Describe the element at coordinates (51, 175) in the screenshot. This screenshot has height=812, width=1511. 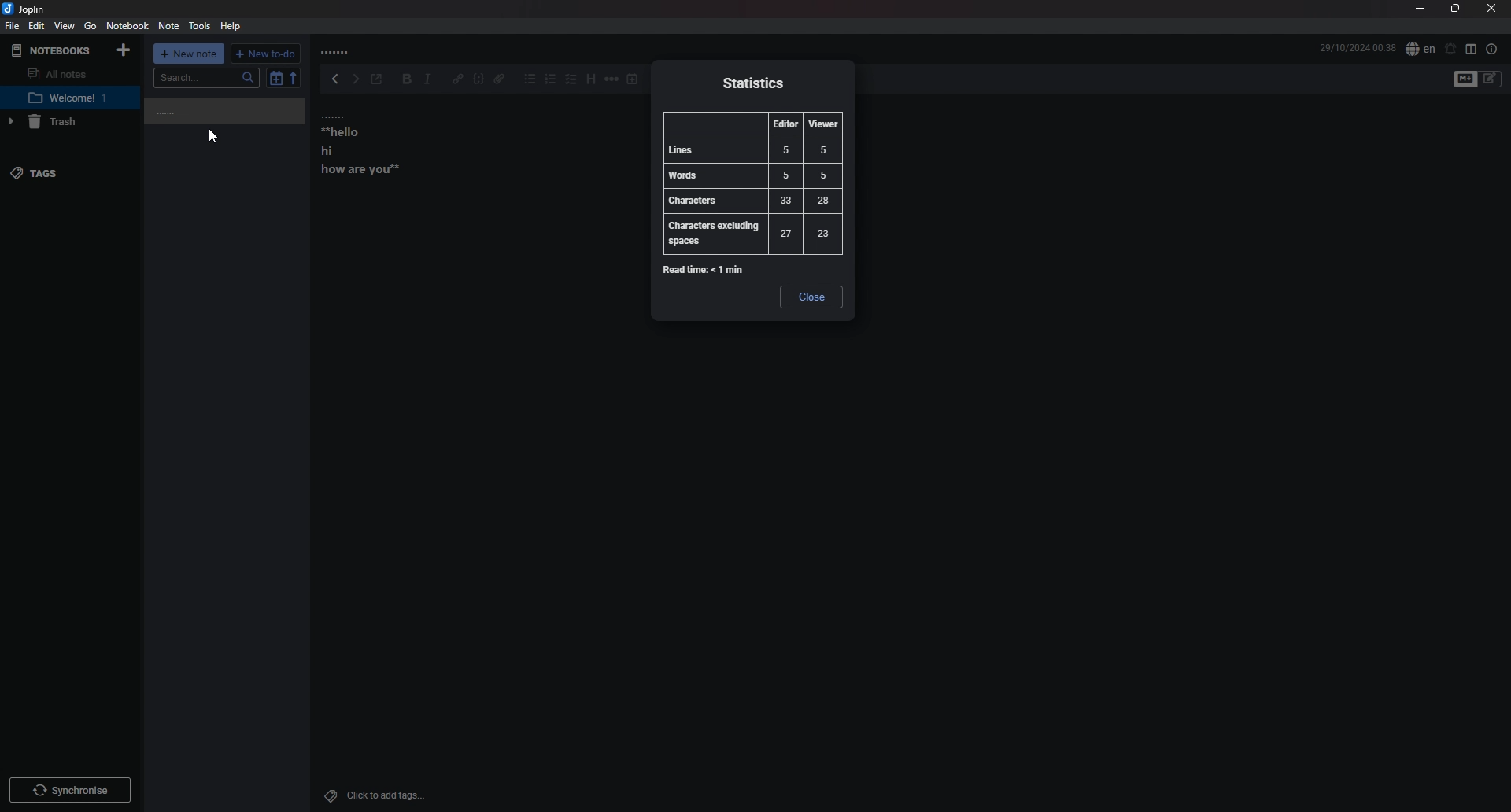
I see `tags` at that location.